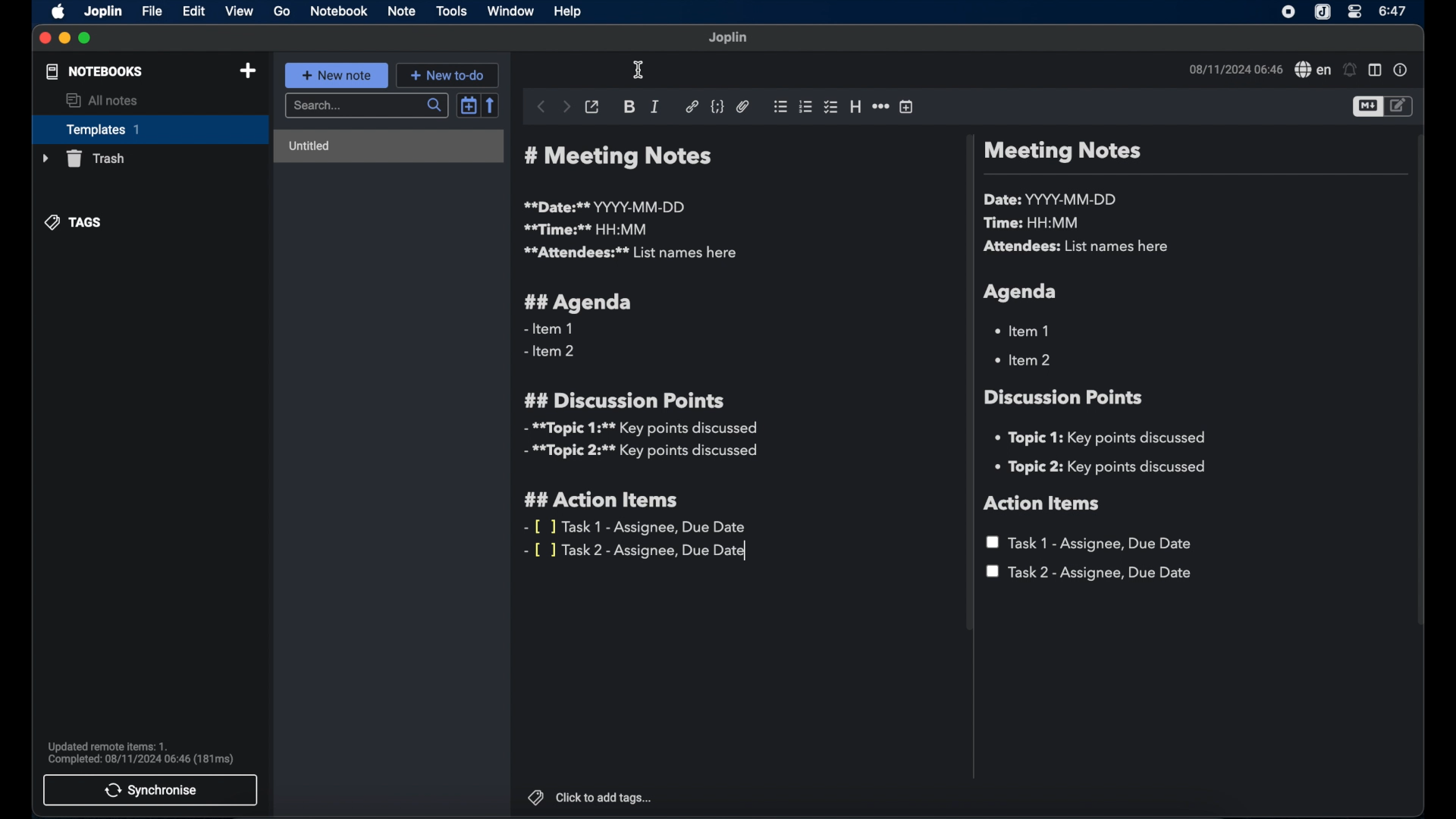 This screenshot has height=819, width=1456. Describe the element at coordinates (551, 352) in the screenshot. I see `- item 2` at that location.